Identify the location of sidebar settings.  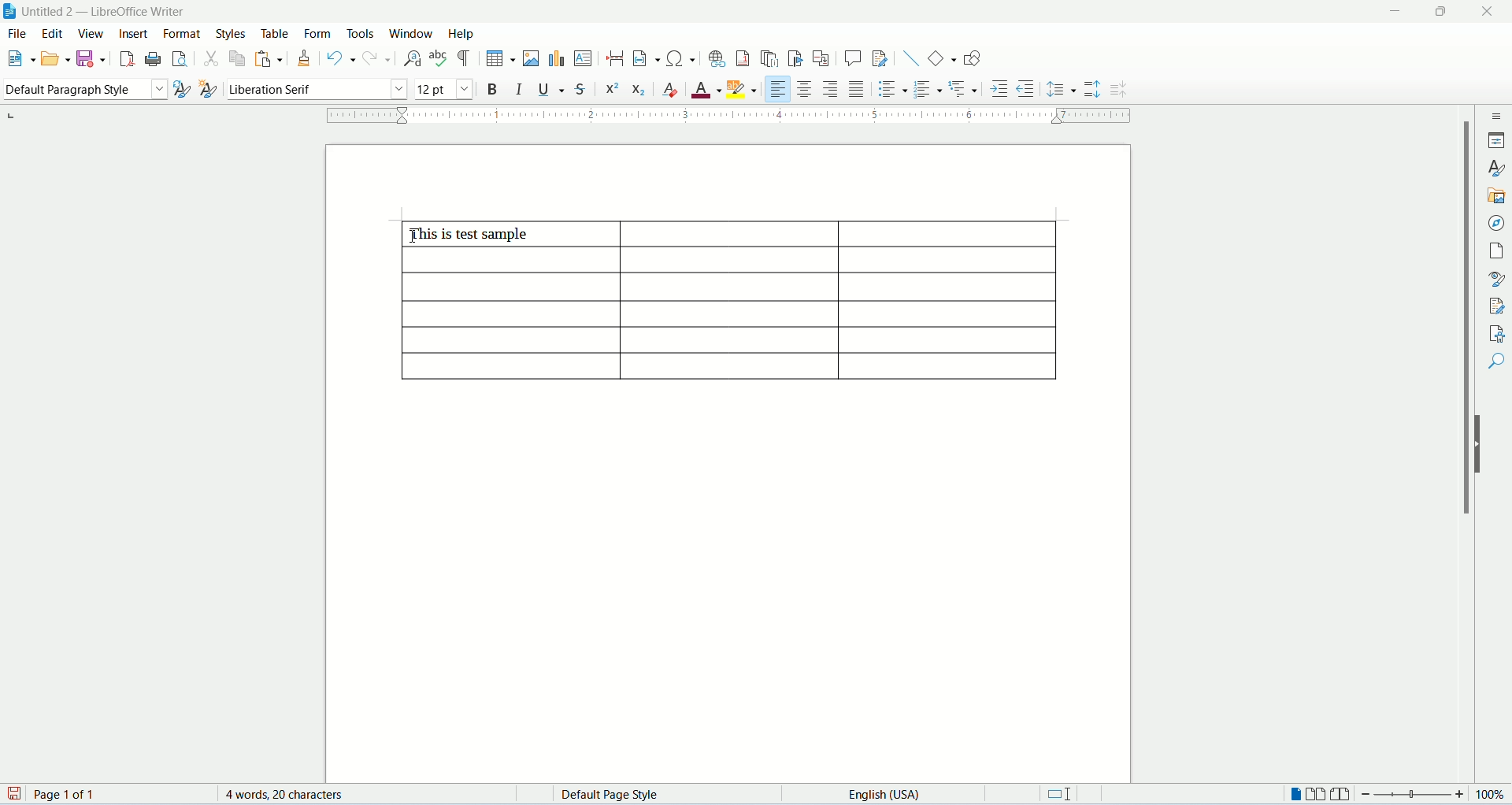
(1495, 114).